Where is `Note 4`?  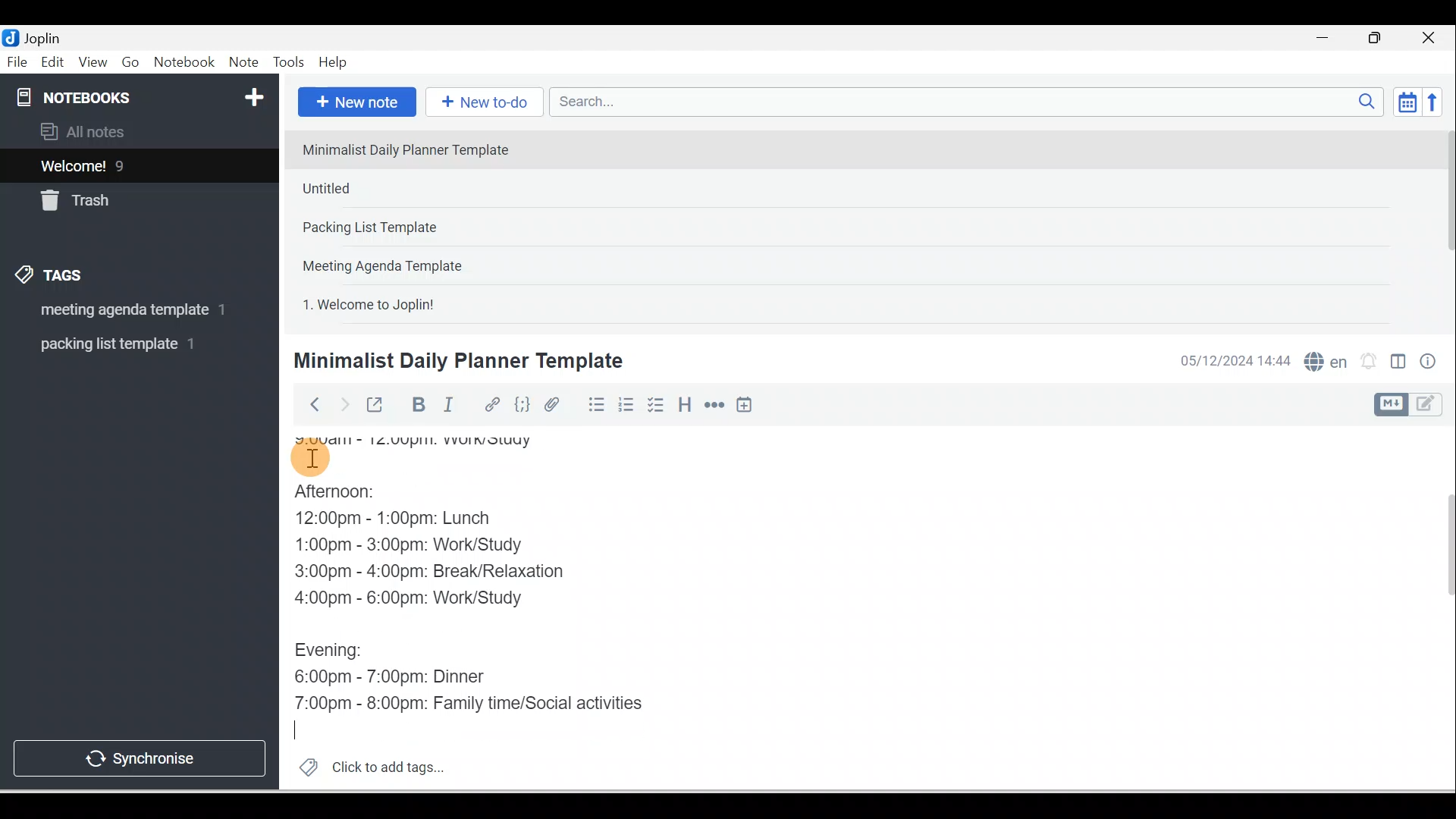
Note 4 is located at coordinates (403, 262).